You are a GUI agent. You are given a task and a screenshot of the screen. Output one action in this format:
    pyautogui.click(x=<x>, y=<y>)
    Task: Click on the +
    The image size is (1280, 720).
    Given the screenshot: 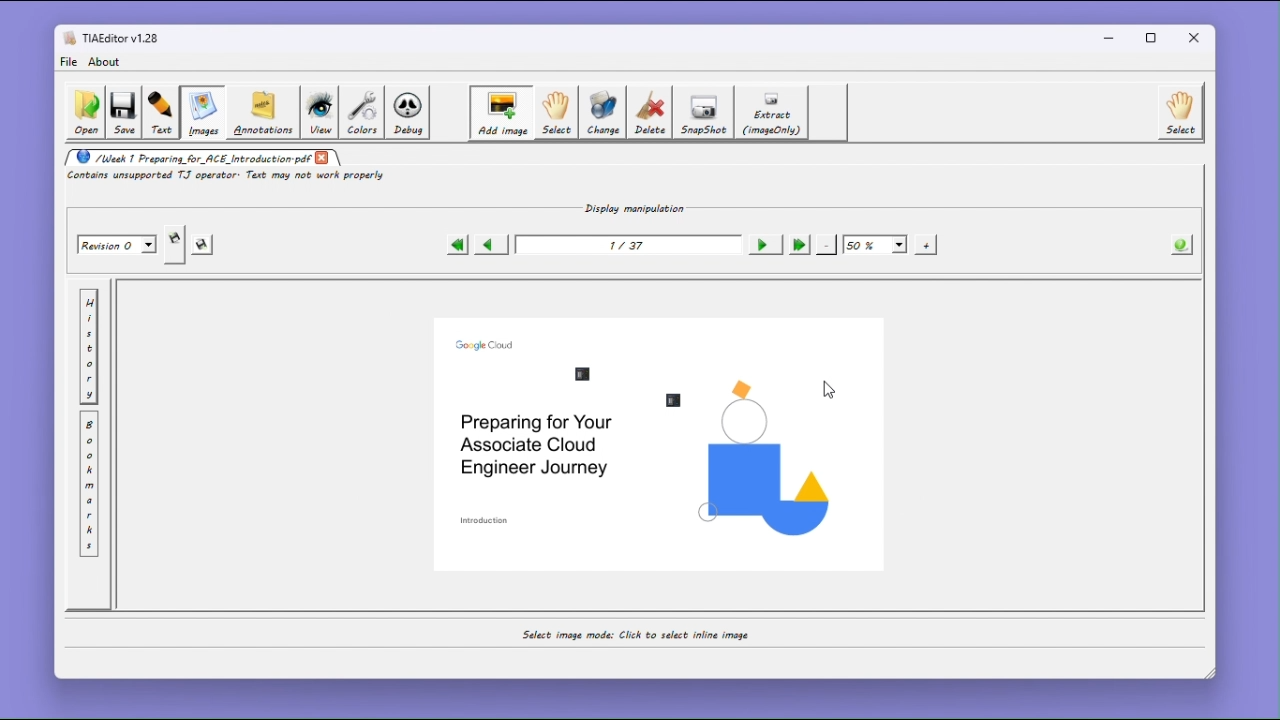 What is the action you would take?
    pyautogui.click(x=927, y=244)
    